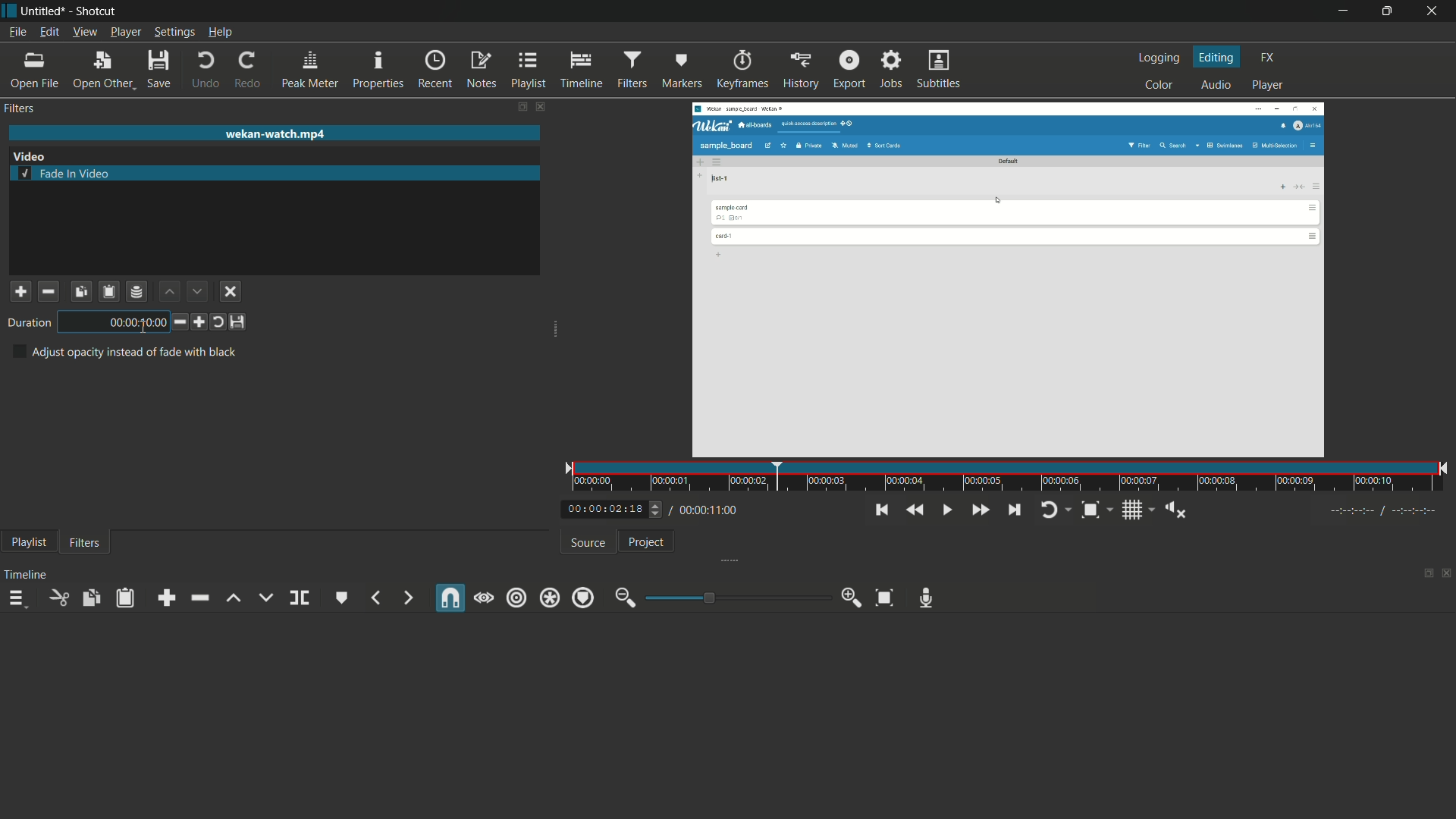  What do you see at coordinates (275, 134) in the screenshot?
I see `imported file name` at bounding box center [275, 134].